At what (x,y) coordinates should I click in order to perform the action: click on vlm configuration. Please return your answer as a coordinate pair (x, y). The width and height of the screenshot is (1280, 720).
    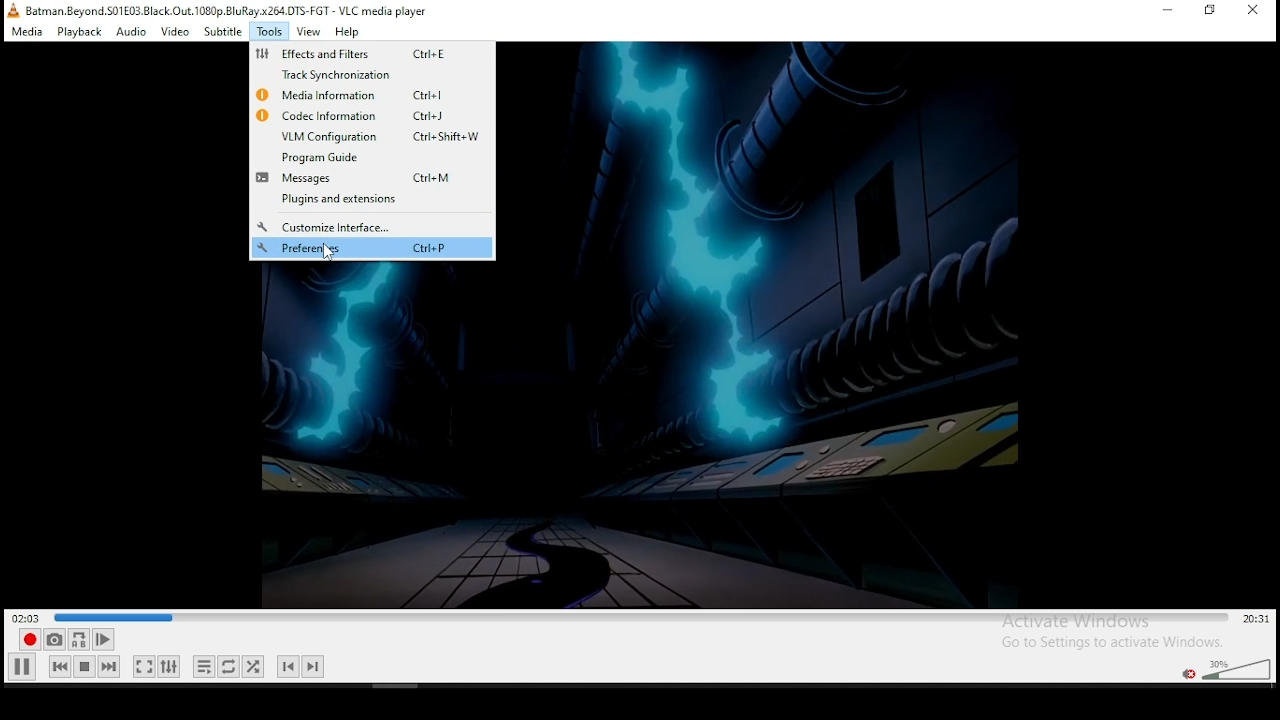
    Looking at the image, I should click on (372, 137).